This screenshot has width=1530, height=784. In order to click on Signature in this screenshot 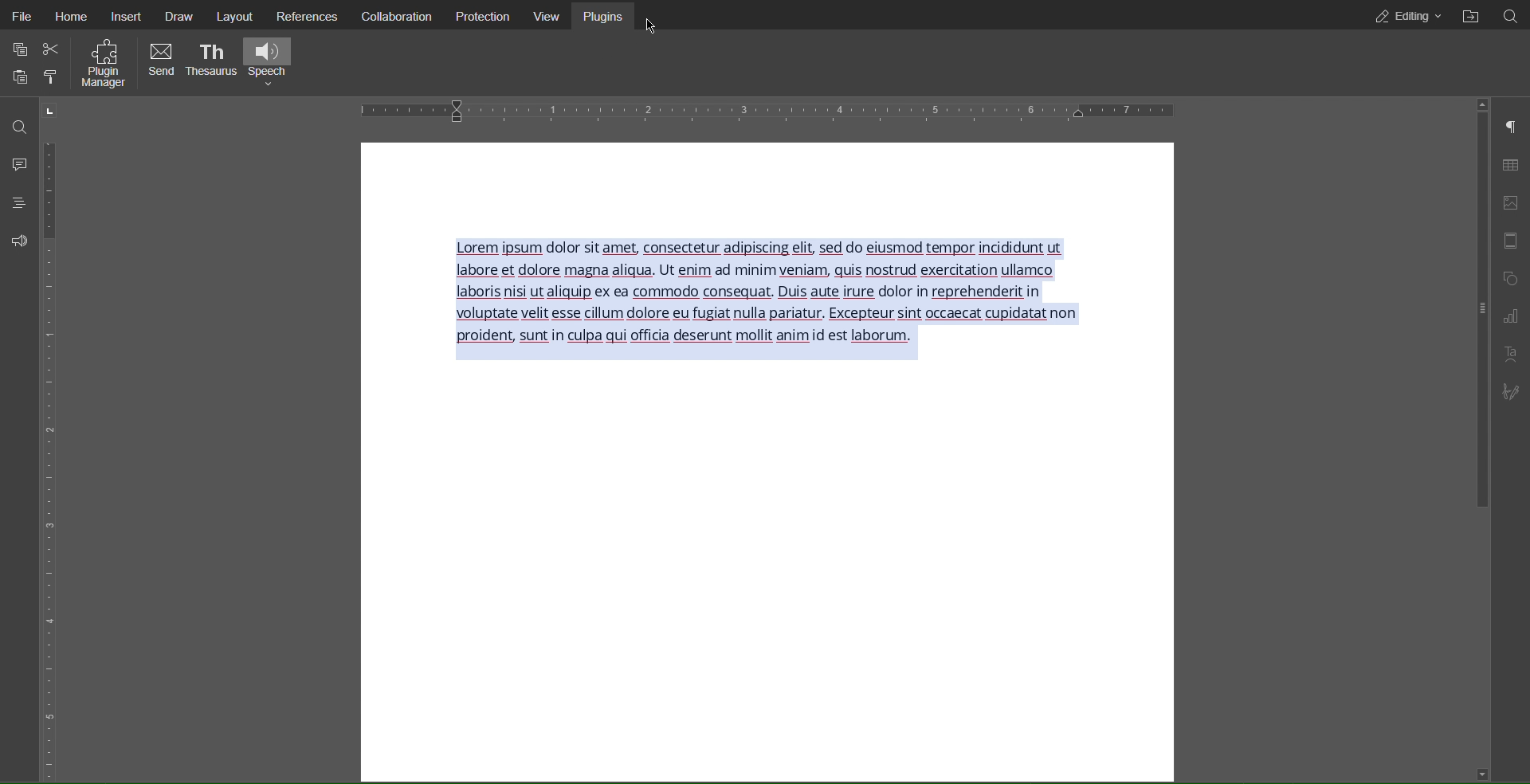, I will do `click(1516, 391)`.